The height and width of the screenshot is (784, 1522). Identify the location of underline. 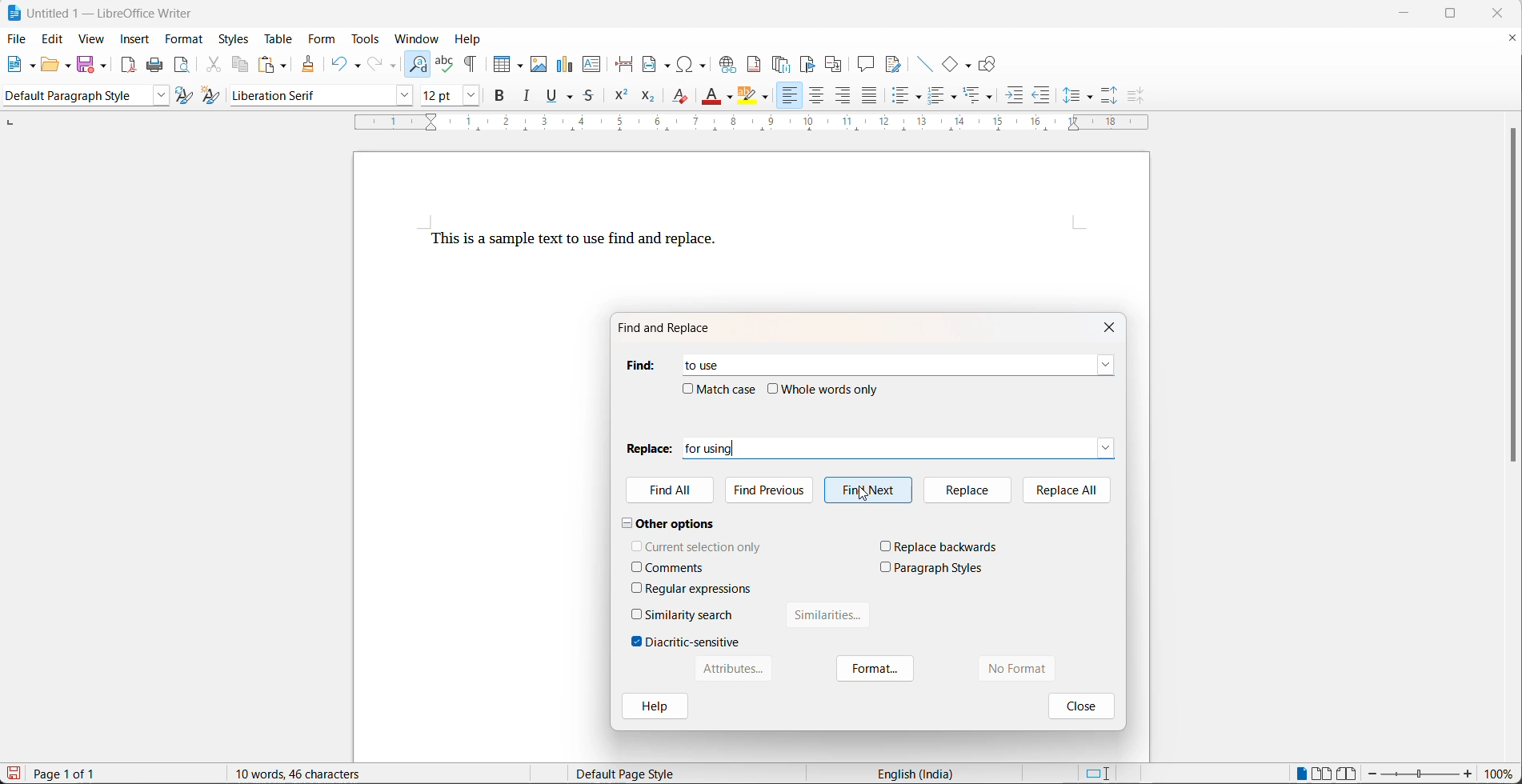
(551, 98).